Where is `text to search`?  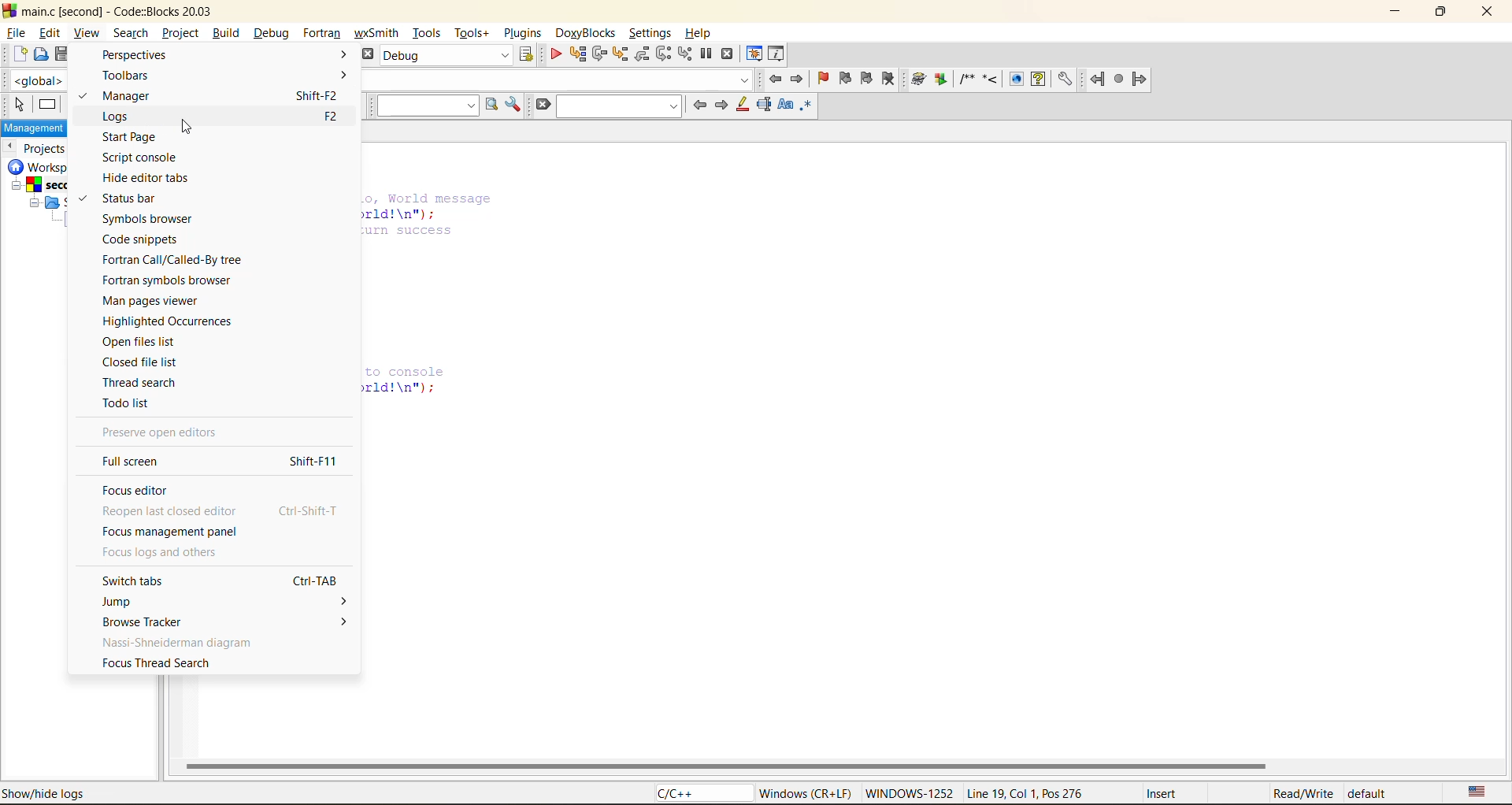
text to search is located at coordinates (428, 104).